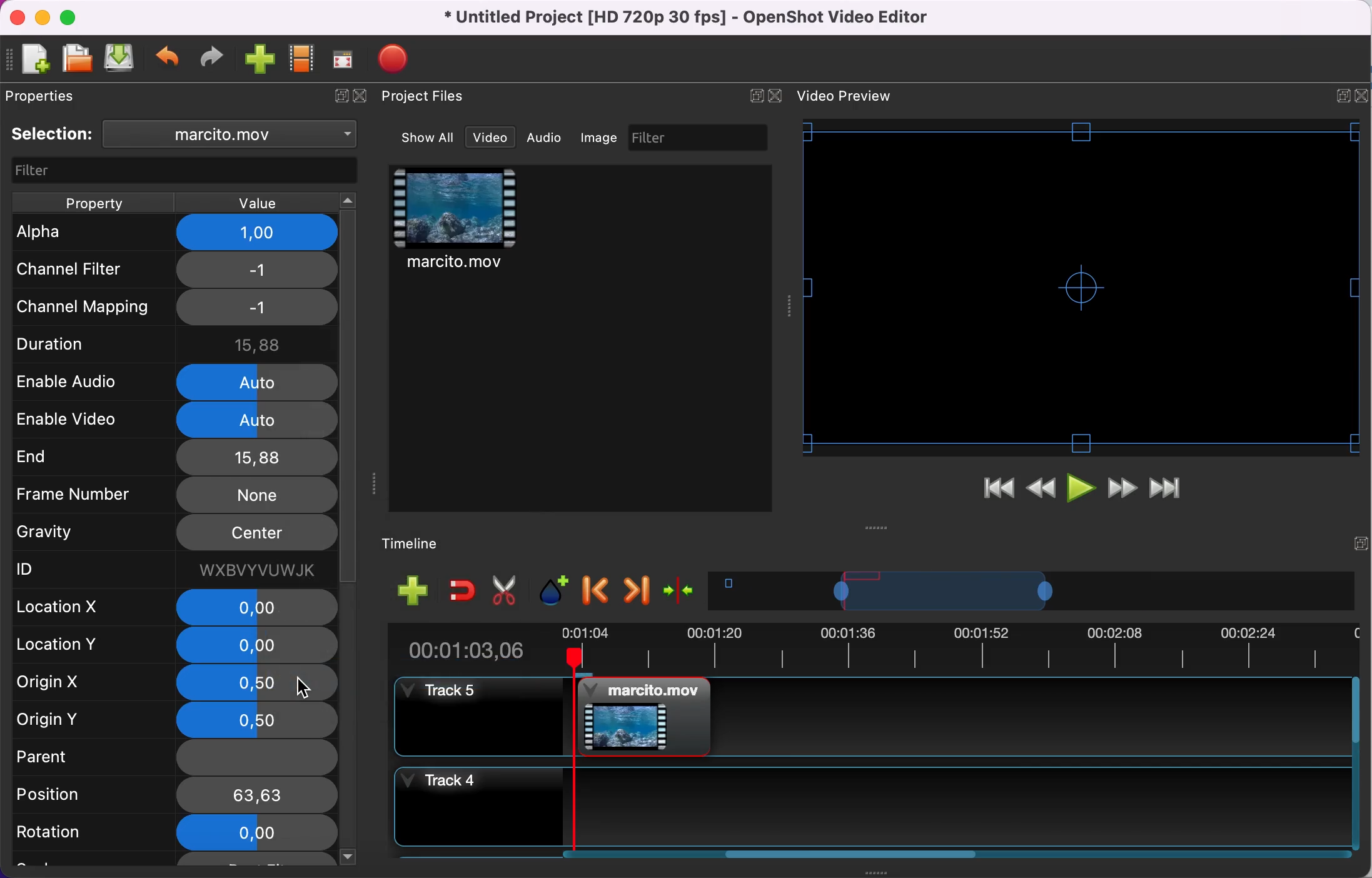 The width and height of the screenshot is (1372, 878). Describe the element at coordinates (1042, 492) in the screenshot. I see `rewind` at that location.